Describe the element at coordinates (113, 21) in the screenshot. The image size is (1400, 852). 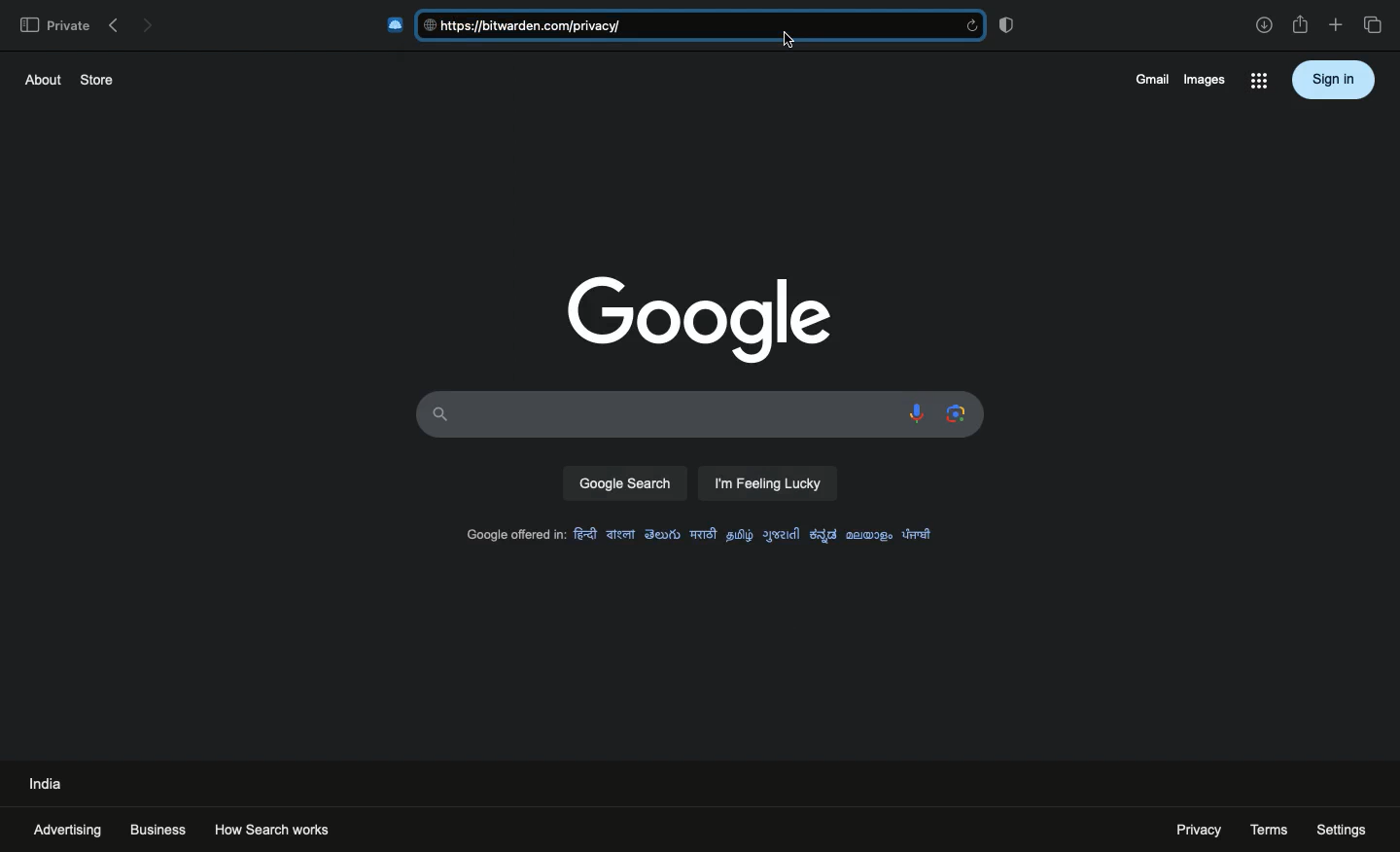
I see `previous` at that location.